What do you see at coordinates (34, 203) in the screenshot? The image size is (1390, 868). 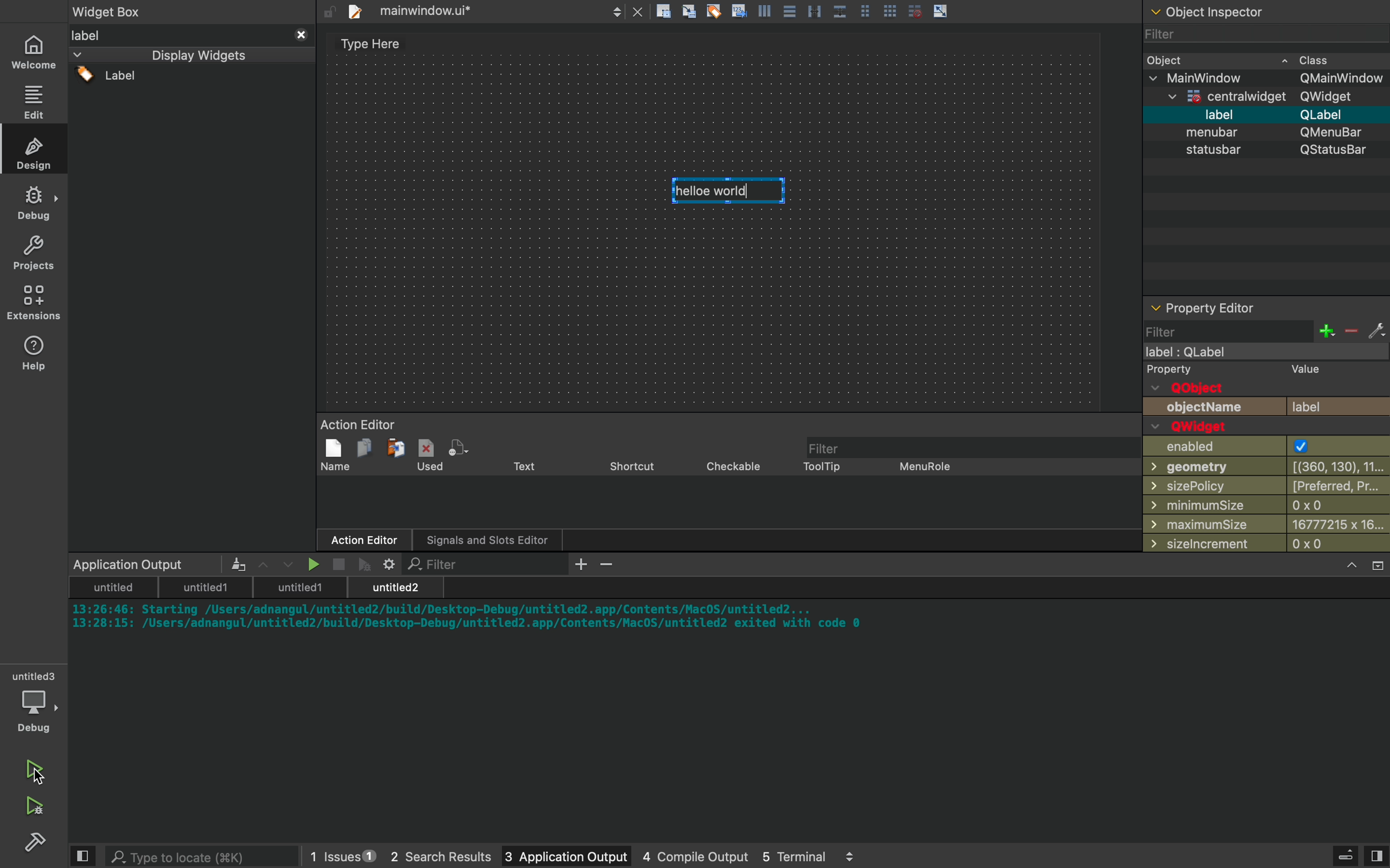 I see `` at bounding box center [34, 203].